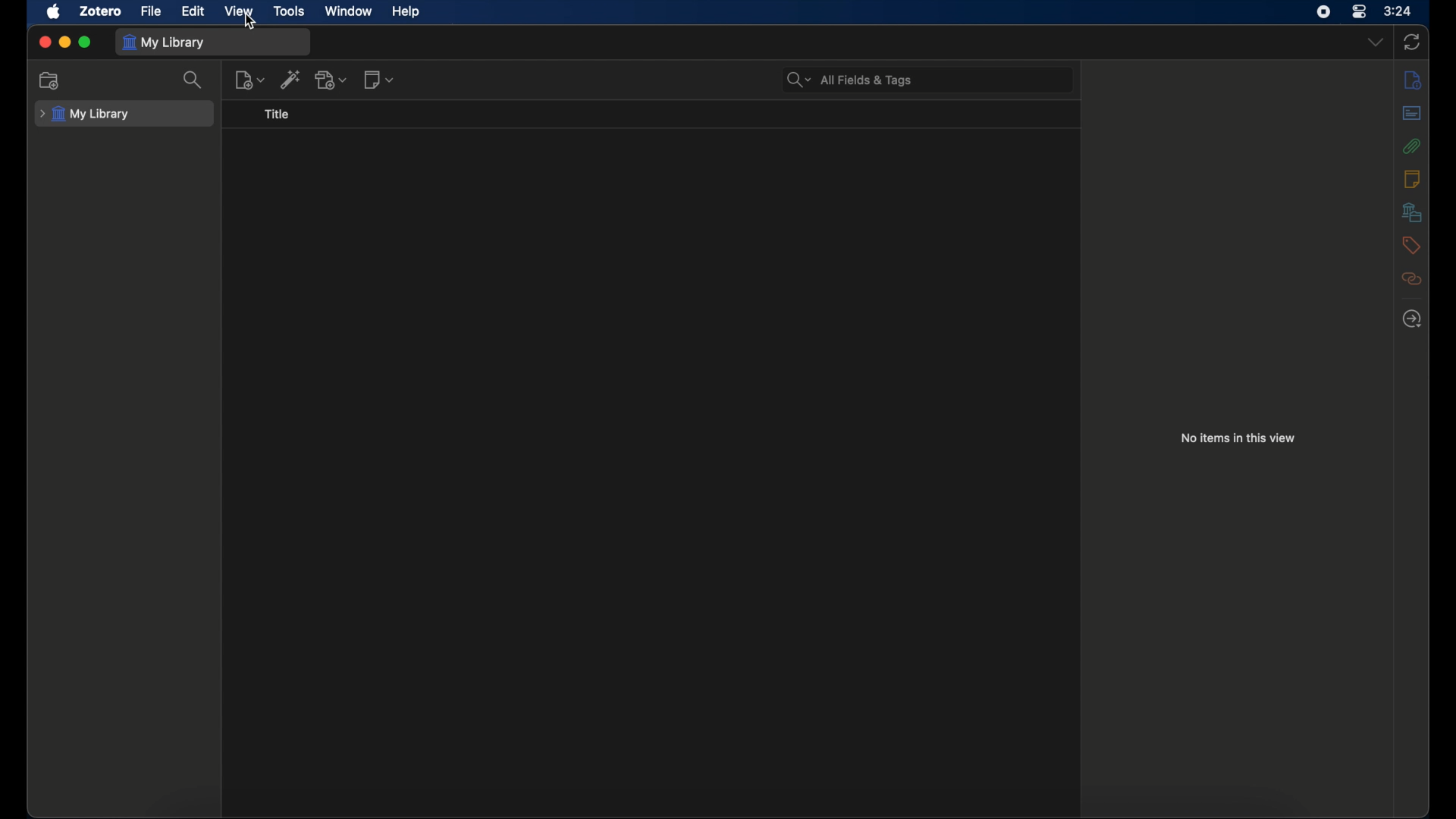  Describe the element at coordinates (44, 41) in the screenshot. I see `close` at that location.